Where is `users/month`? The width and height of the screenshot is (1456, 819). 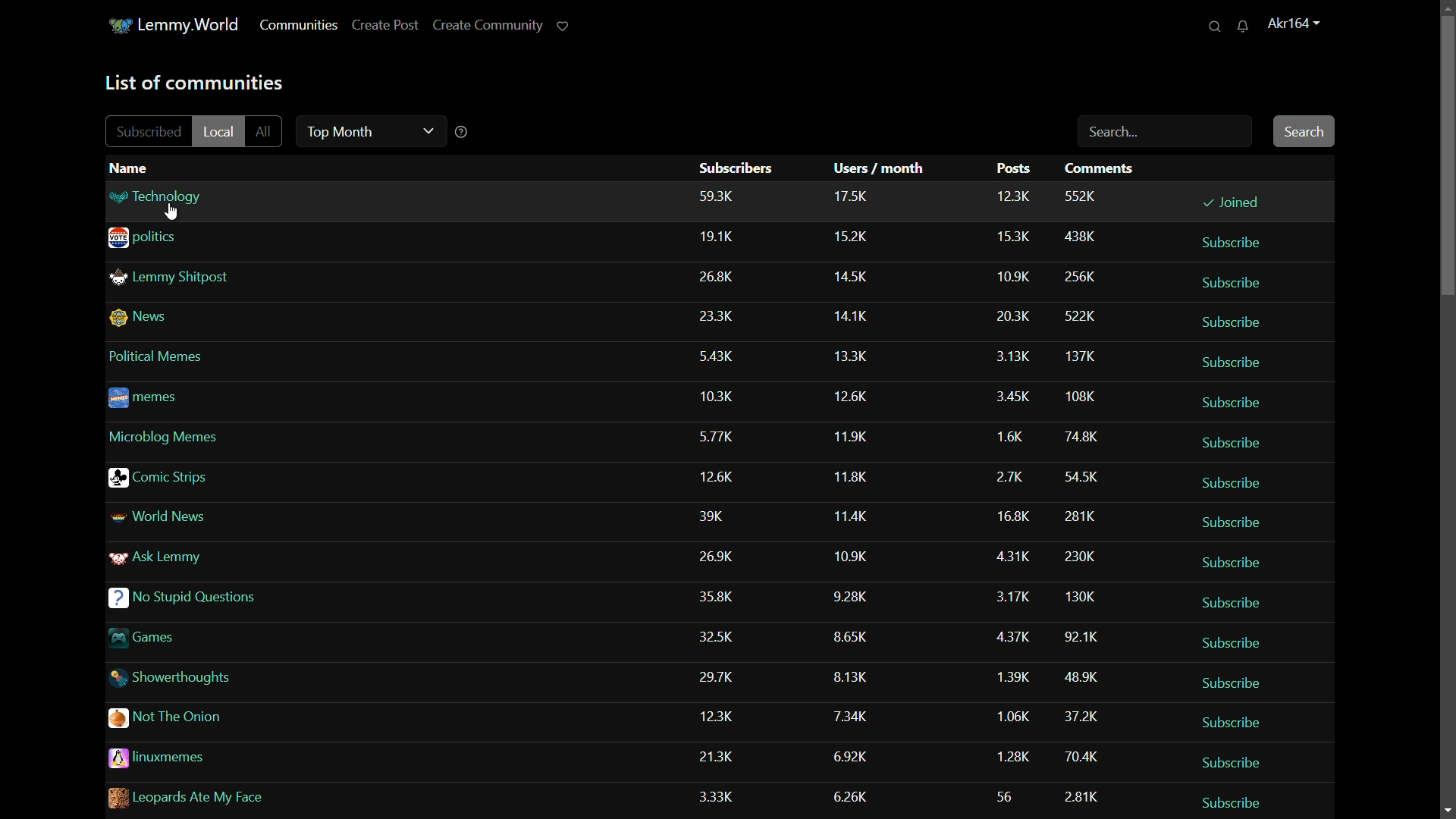 users/month is located at coordinates (879, 169).